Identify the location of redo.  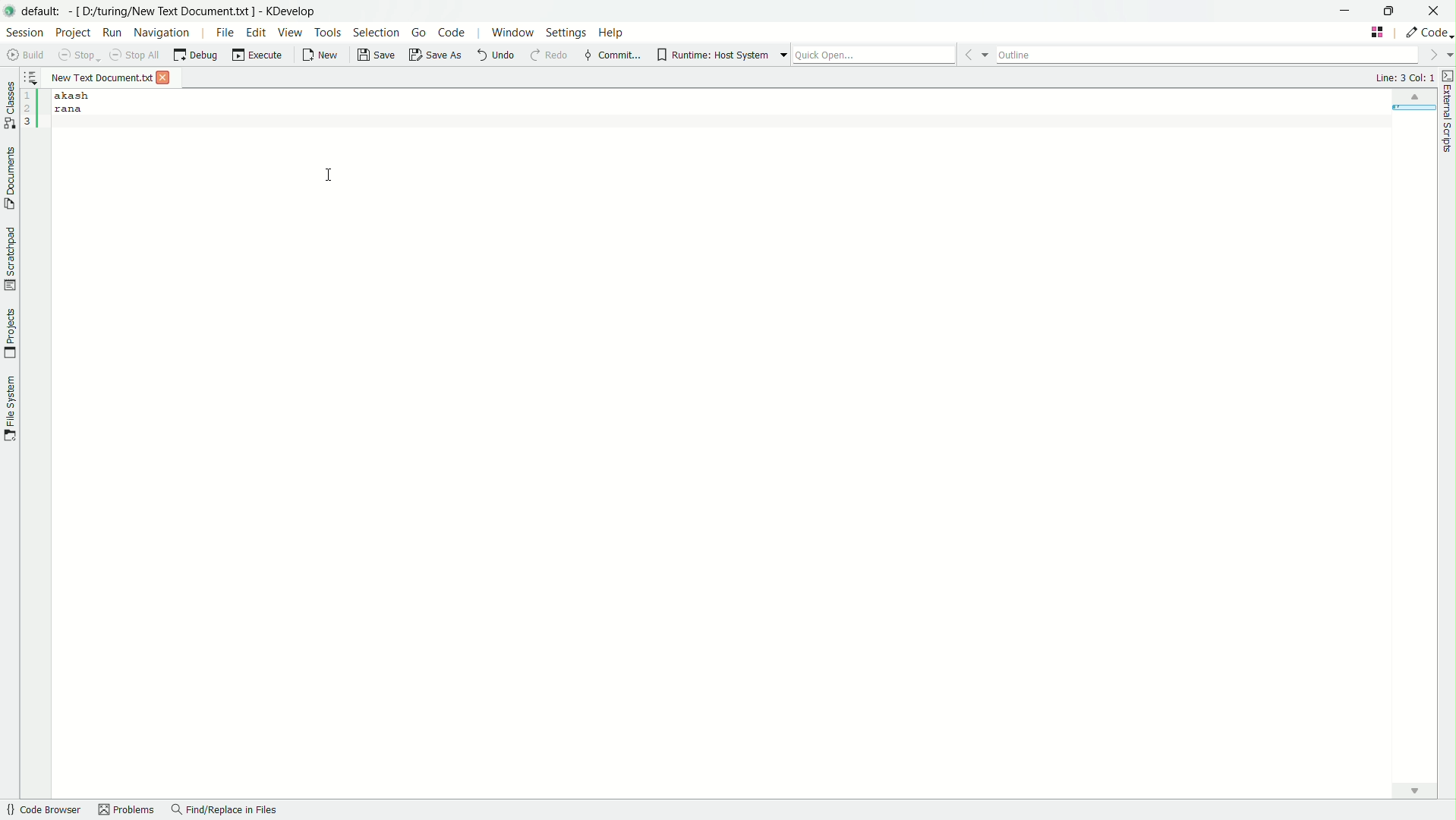
(553, 56).